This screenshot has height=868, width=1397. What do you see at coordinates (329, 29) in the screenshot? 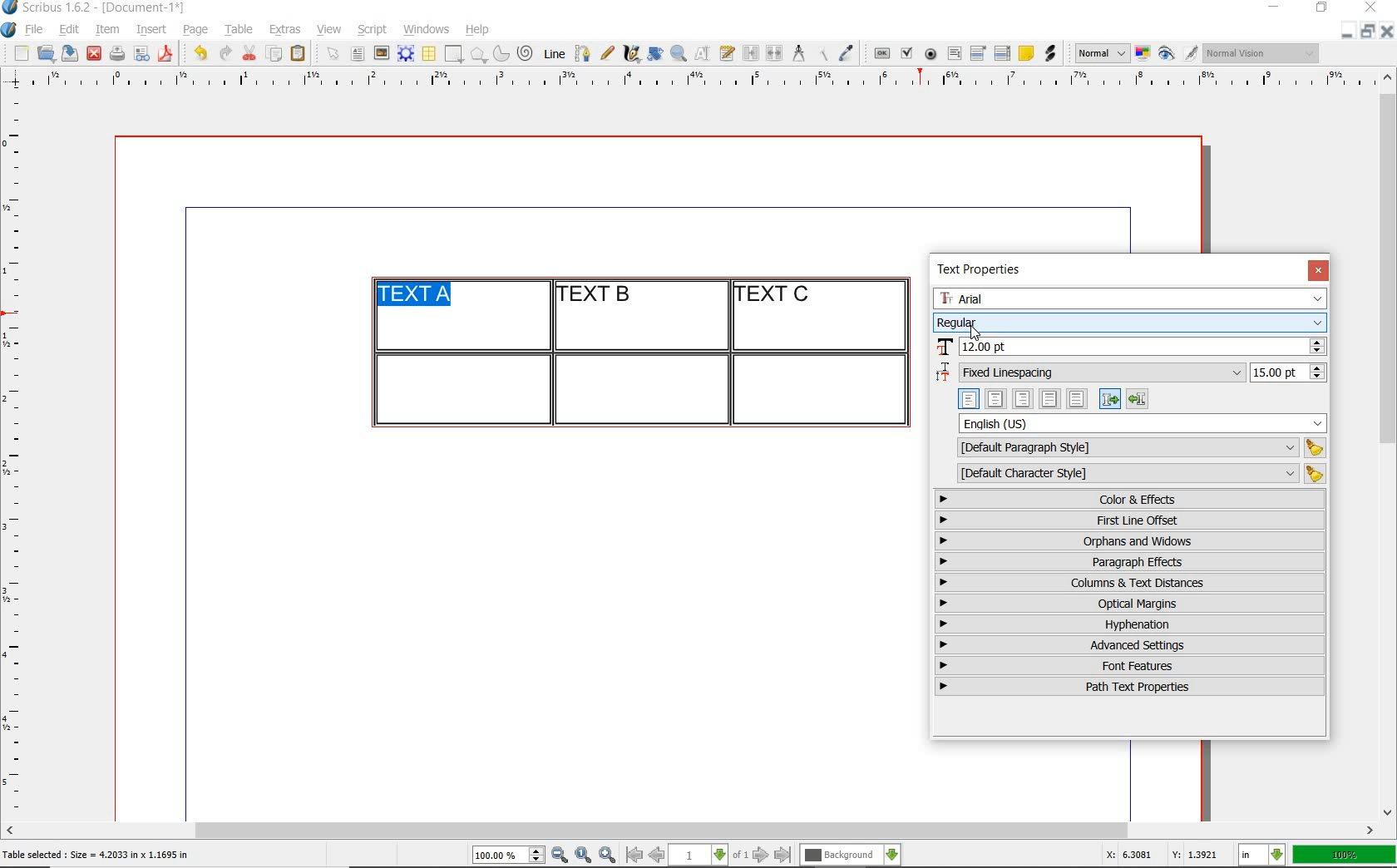
I see `view` at bounding box center [329, 29].